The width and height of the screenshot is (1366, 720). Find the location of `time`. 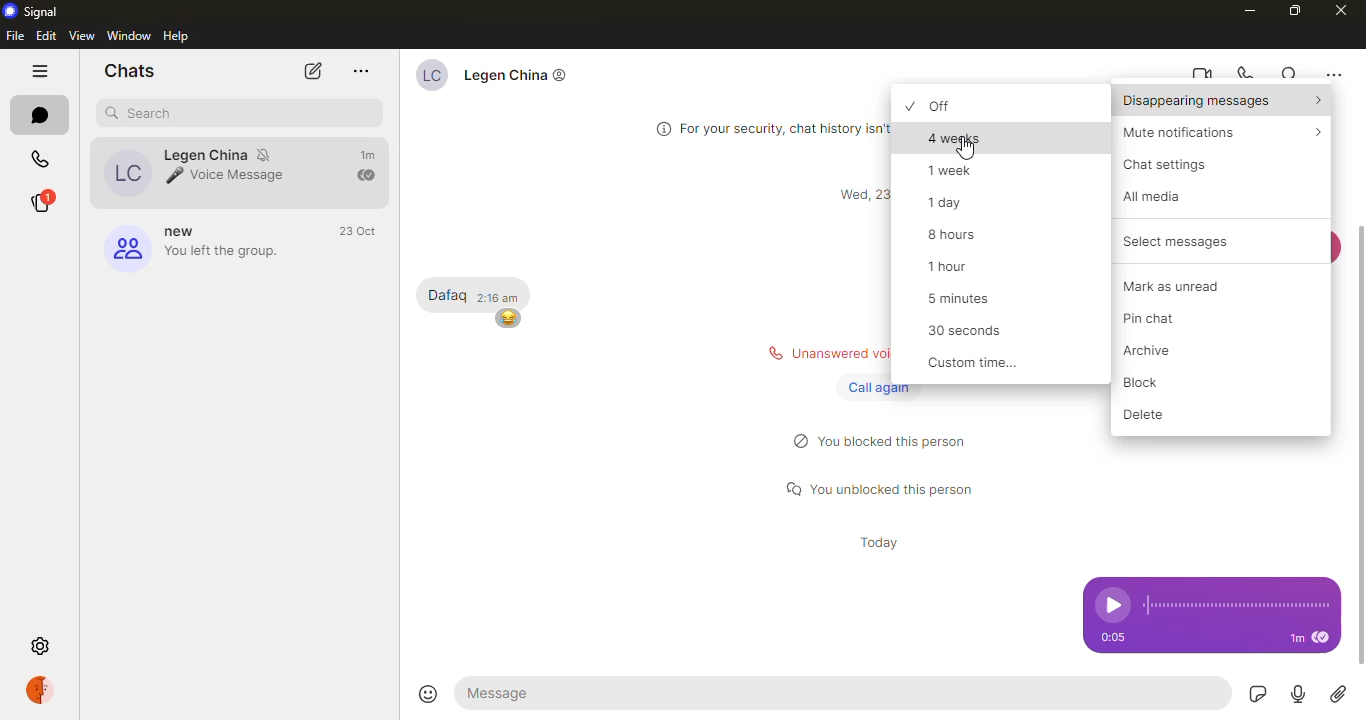

time is located at coordinates (1296, 639).